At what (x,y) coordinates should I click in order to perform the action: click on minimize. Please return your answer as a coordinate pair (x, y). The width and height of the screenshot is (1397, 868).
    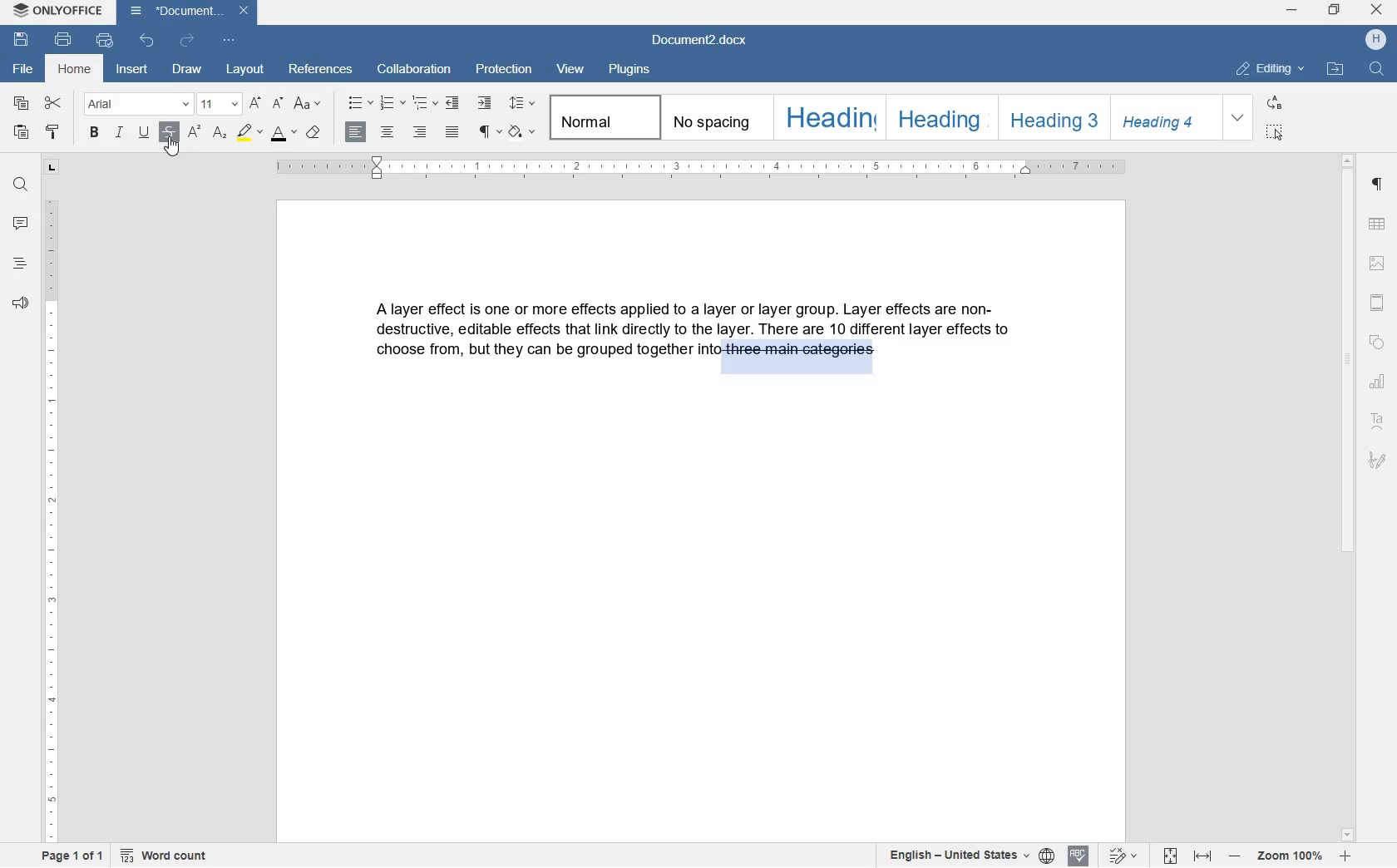
    Looking at the image, I should click on (1292, 11).